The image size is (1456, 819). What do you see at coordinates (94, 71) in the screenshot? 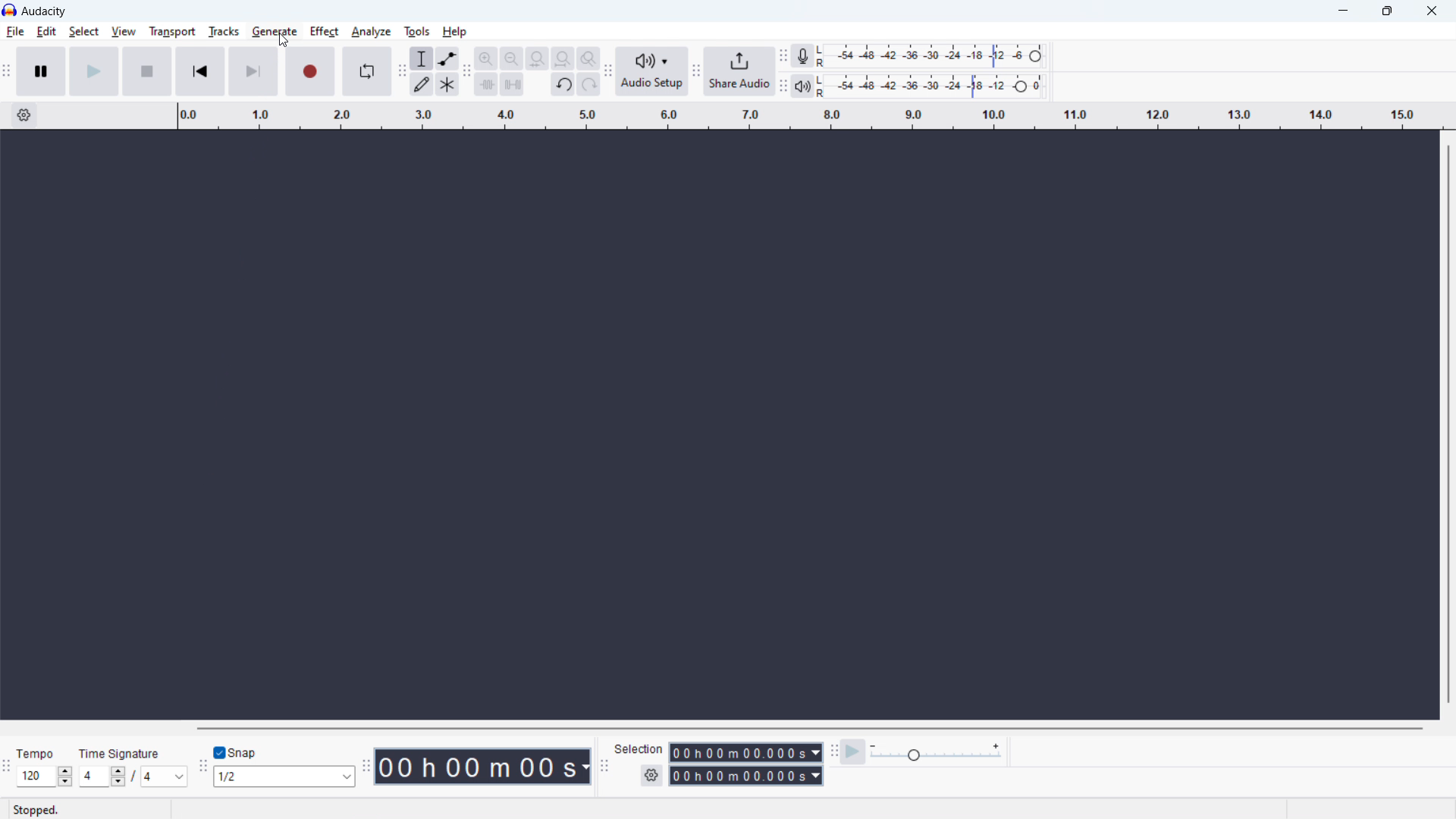
I see `play` at bounding box center [94, 71].